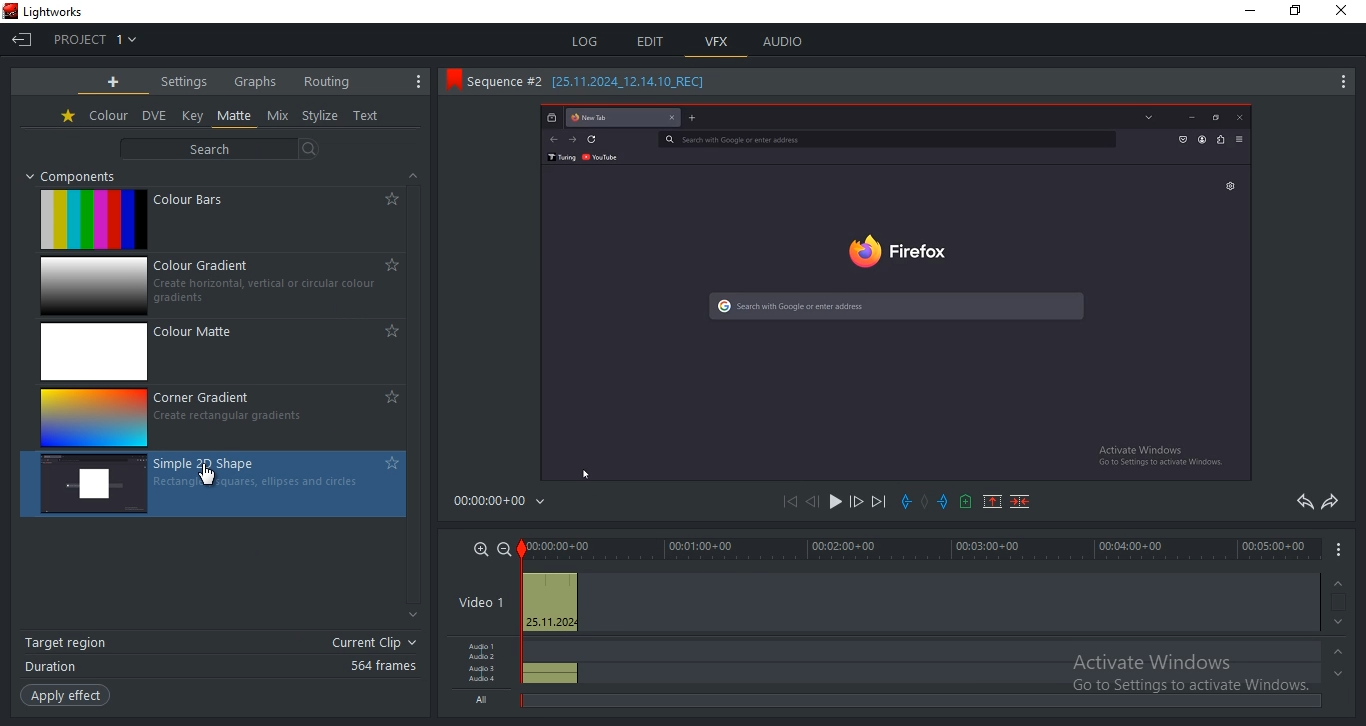 Image resolution: width=1366 pixels, height=726 pixels. I want to click on previous, so click(794, 503).